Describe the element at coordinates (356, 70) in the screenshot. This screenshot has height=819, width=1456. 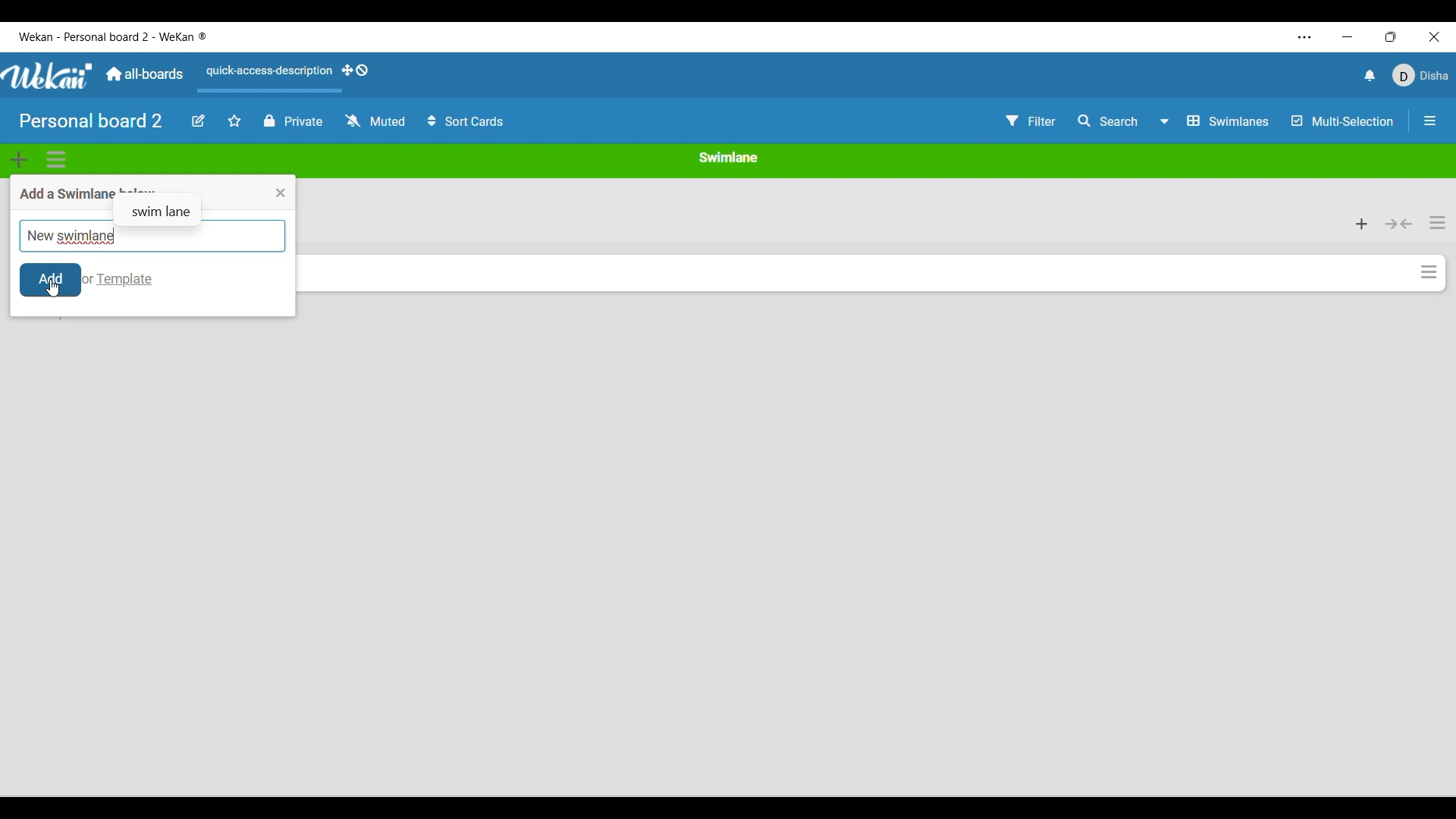
I see `Show desktop drag handles` at that location.